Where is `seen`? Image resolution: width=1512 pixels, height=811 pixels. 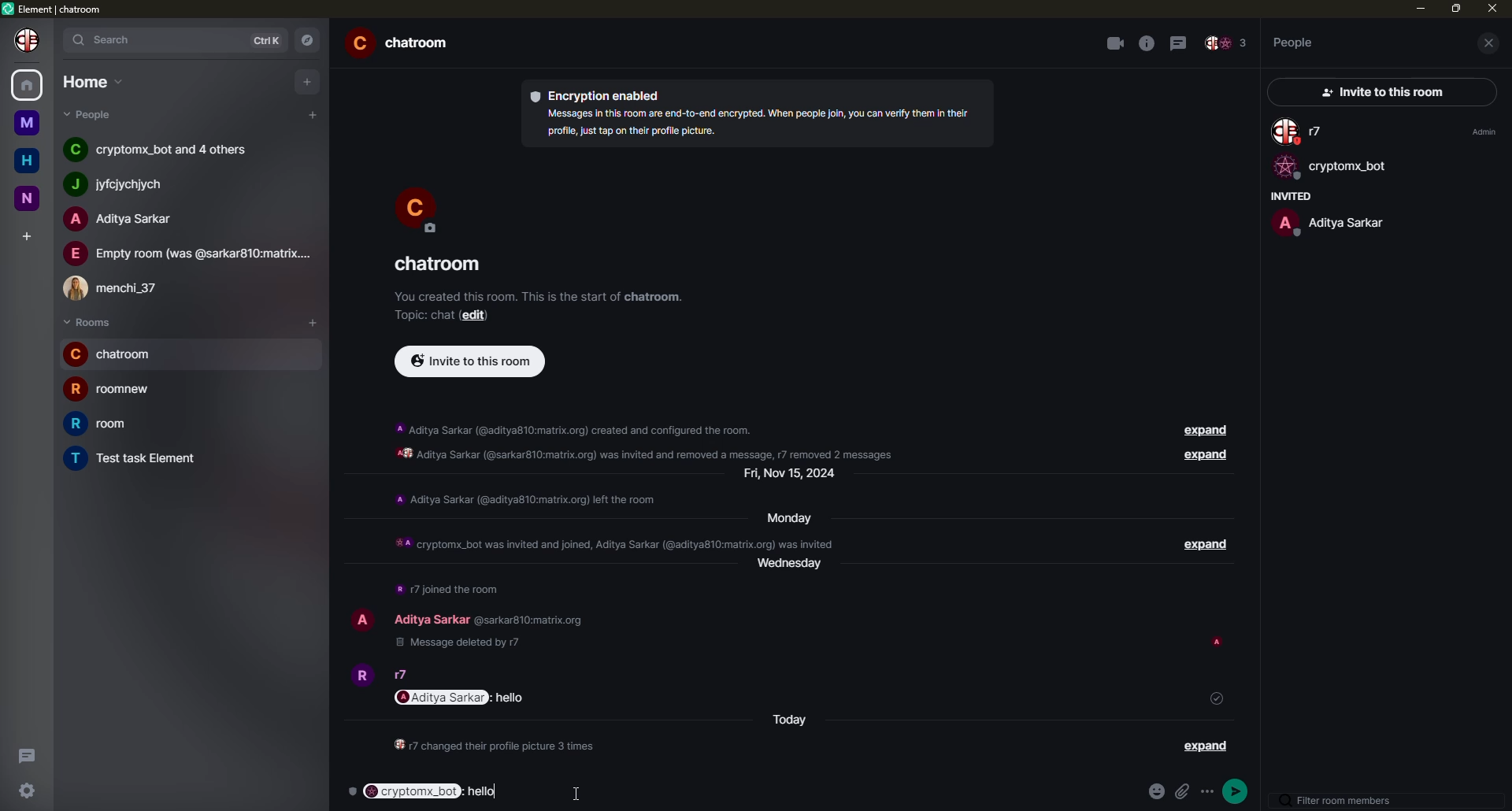
seen is located at coordinates (1220, 643).